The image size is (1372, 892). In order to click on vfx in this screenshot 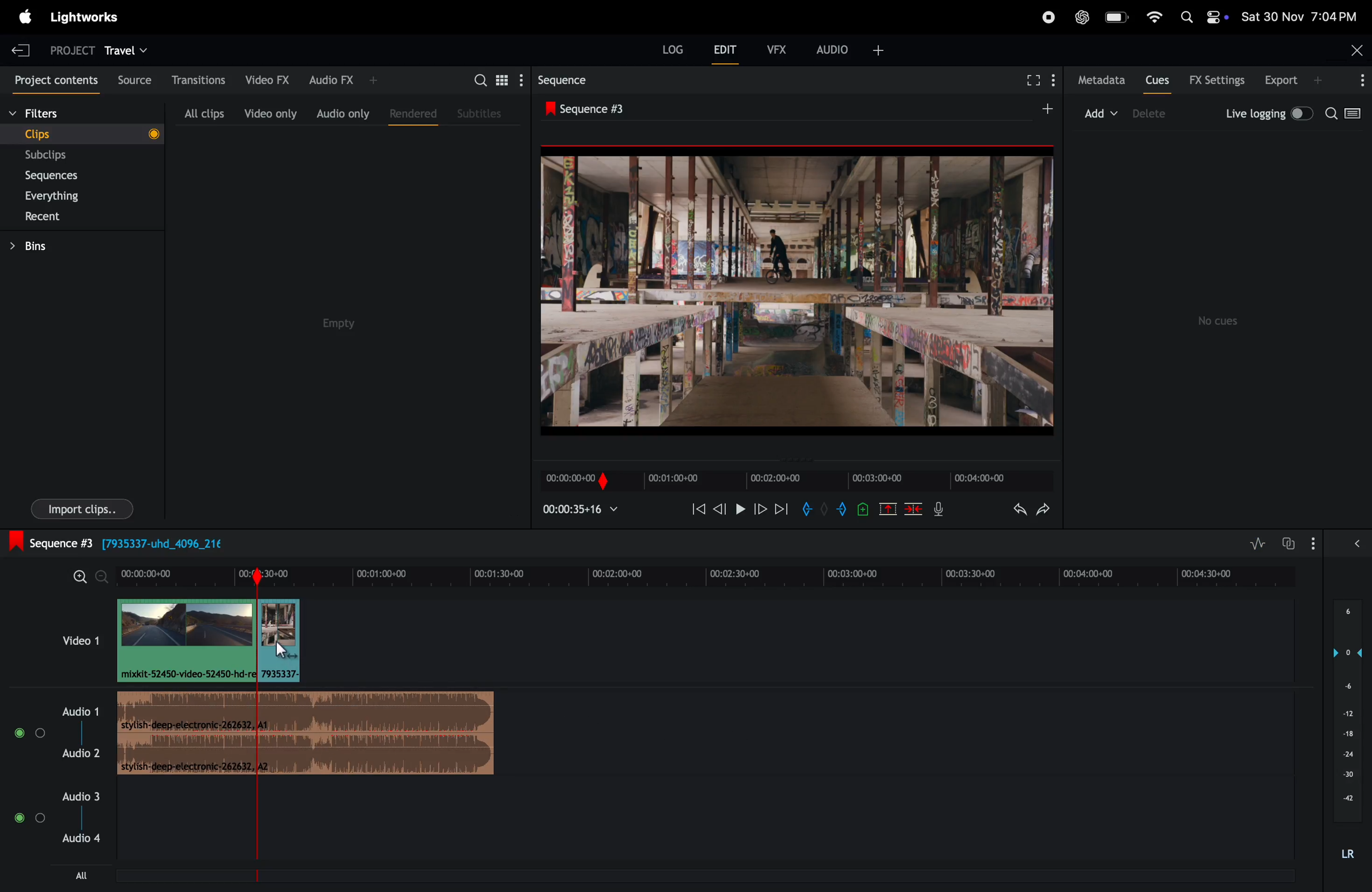, I will do `click(780, 51)`.